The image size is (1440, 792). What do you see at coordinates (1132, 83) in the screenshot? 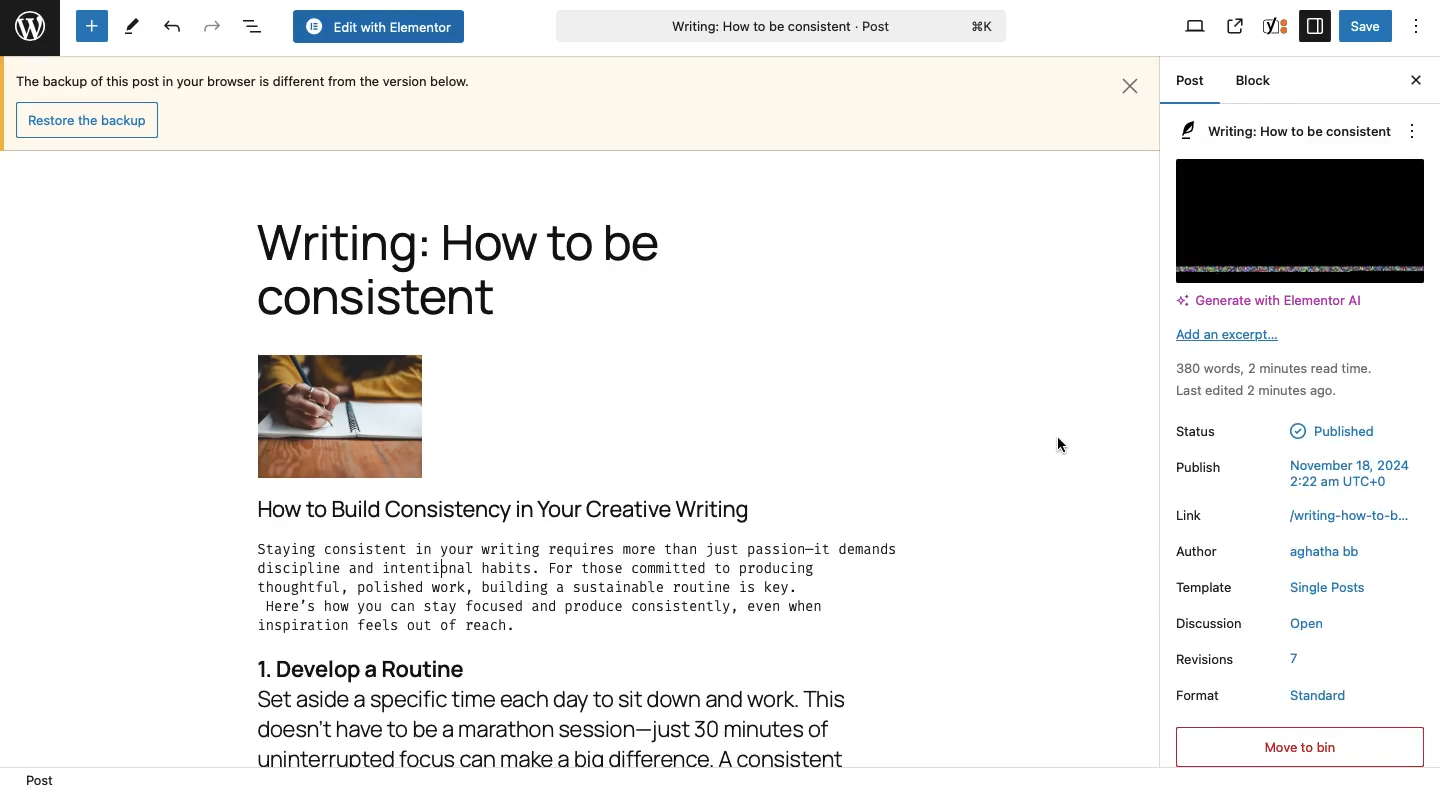
I see `Close` at bounding box center [1132, 83].